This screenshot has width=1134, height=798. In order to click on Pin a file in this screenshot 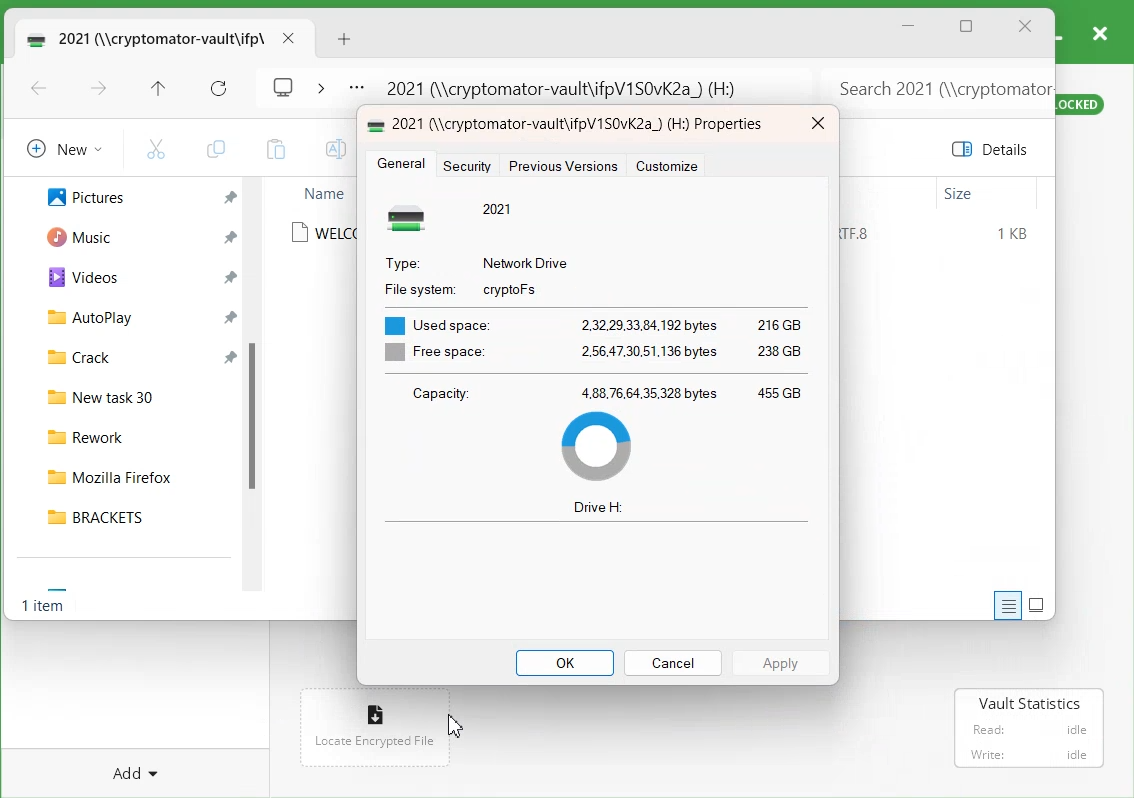, I will do `click(231, 316)`.